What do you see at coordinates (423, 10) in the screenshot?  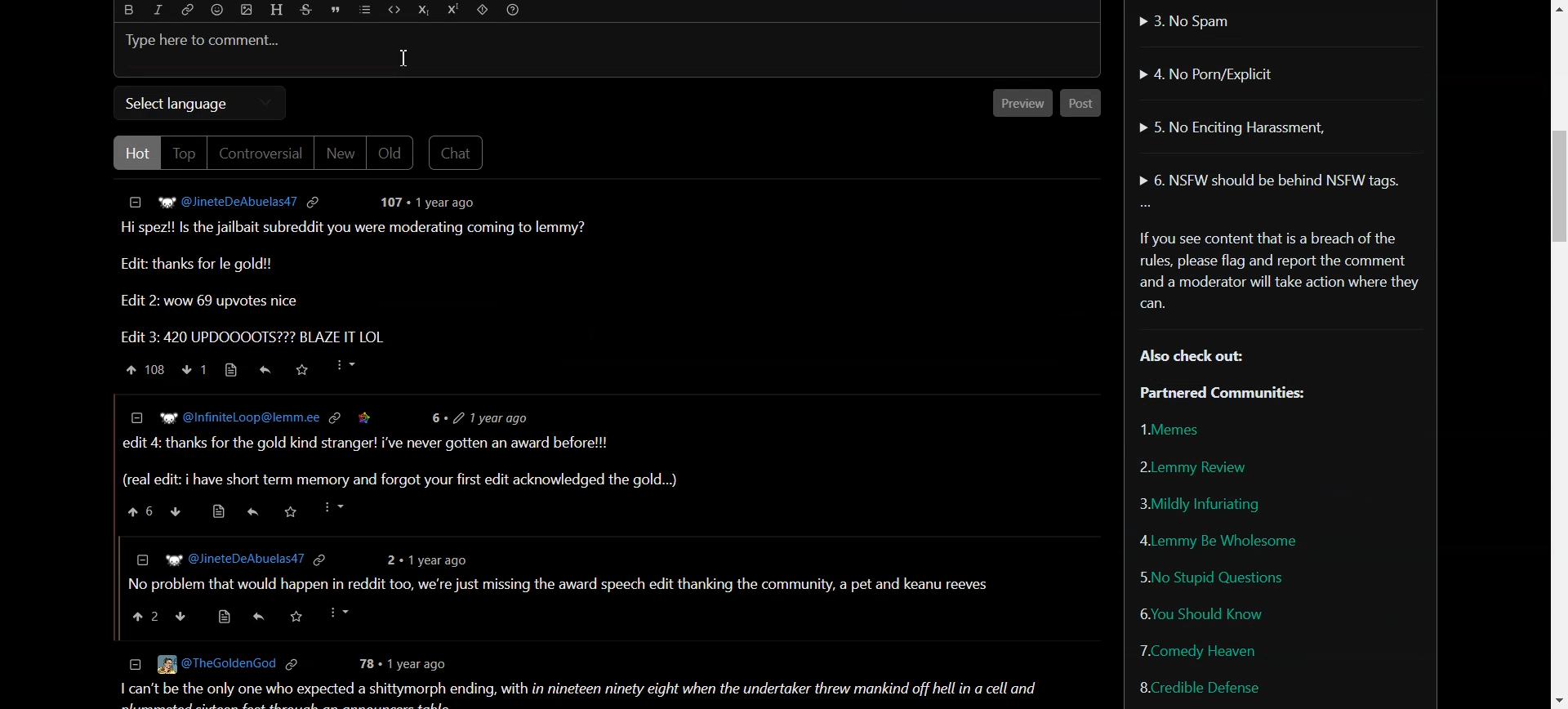 I see `Subscript` at bounding box center [423, 10].